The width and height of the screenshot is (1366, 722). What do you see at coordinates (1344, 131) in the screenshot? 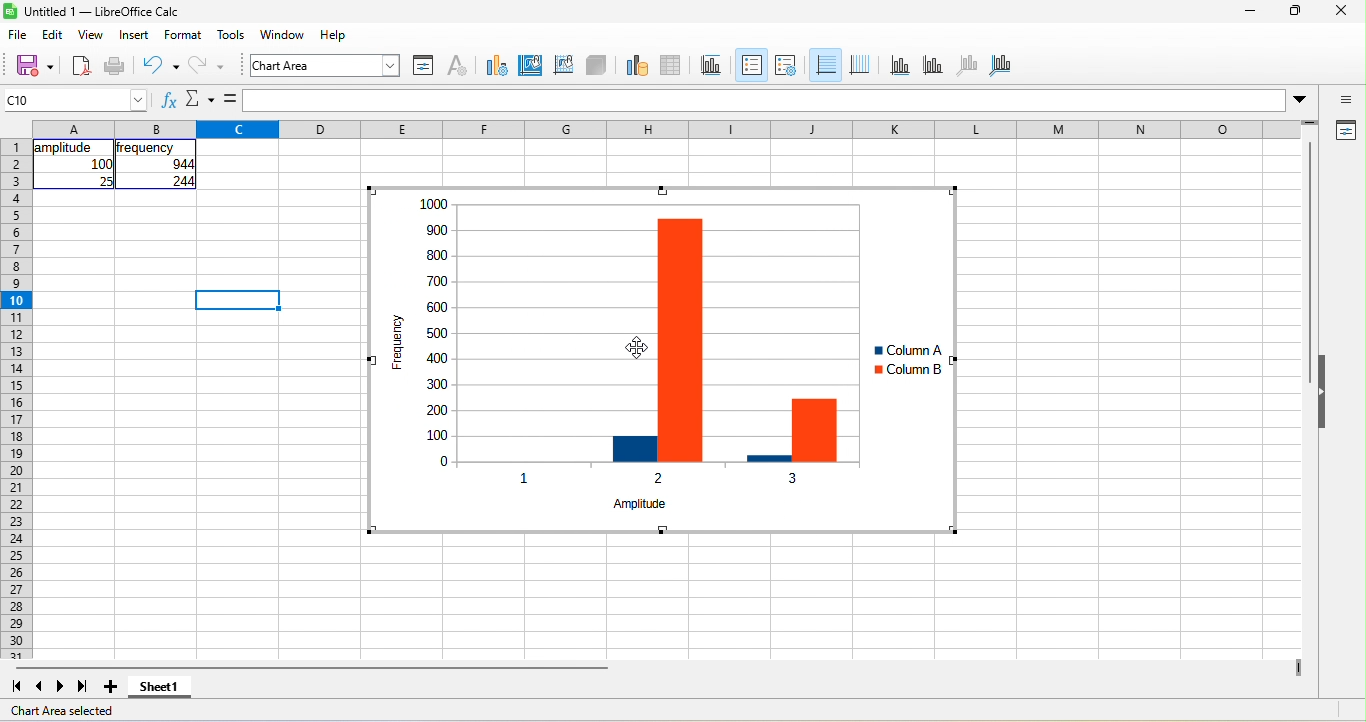
I see `properties` at bounding box center [1344, 131].